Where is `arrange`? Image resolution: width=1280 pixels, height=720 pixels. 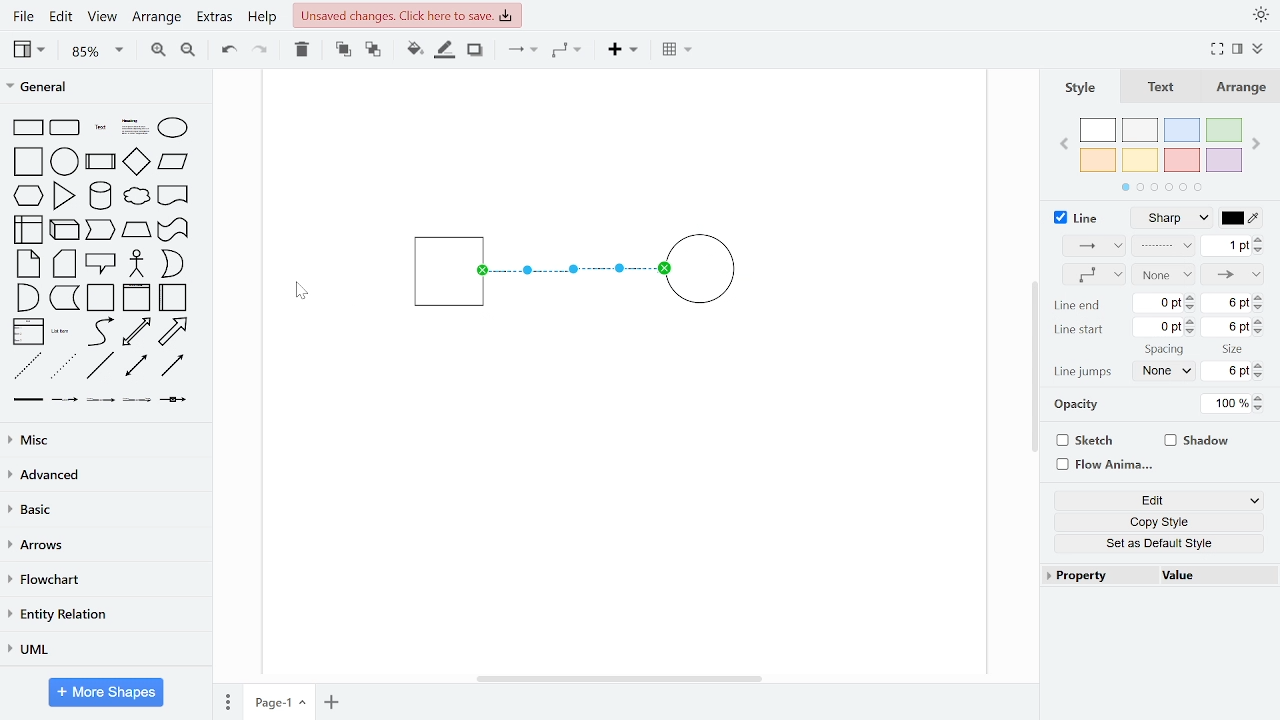 arrange is located at coordinates (1242, 88).